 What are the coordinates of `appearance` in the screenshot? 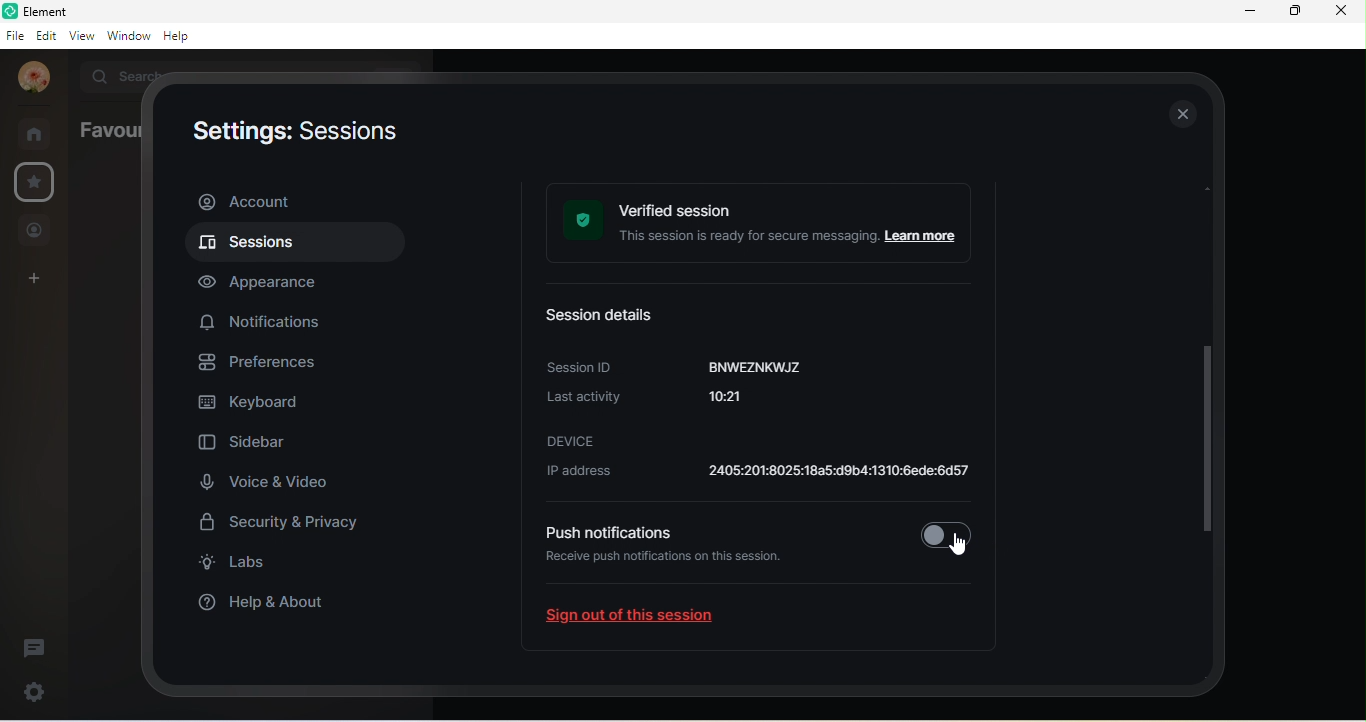 It's located at (269, 282).